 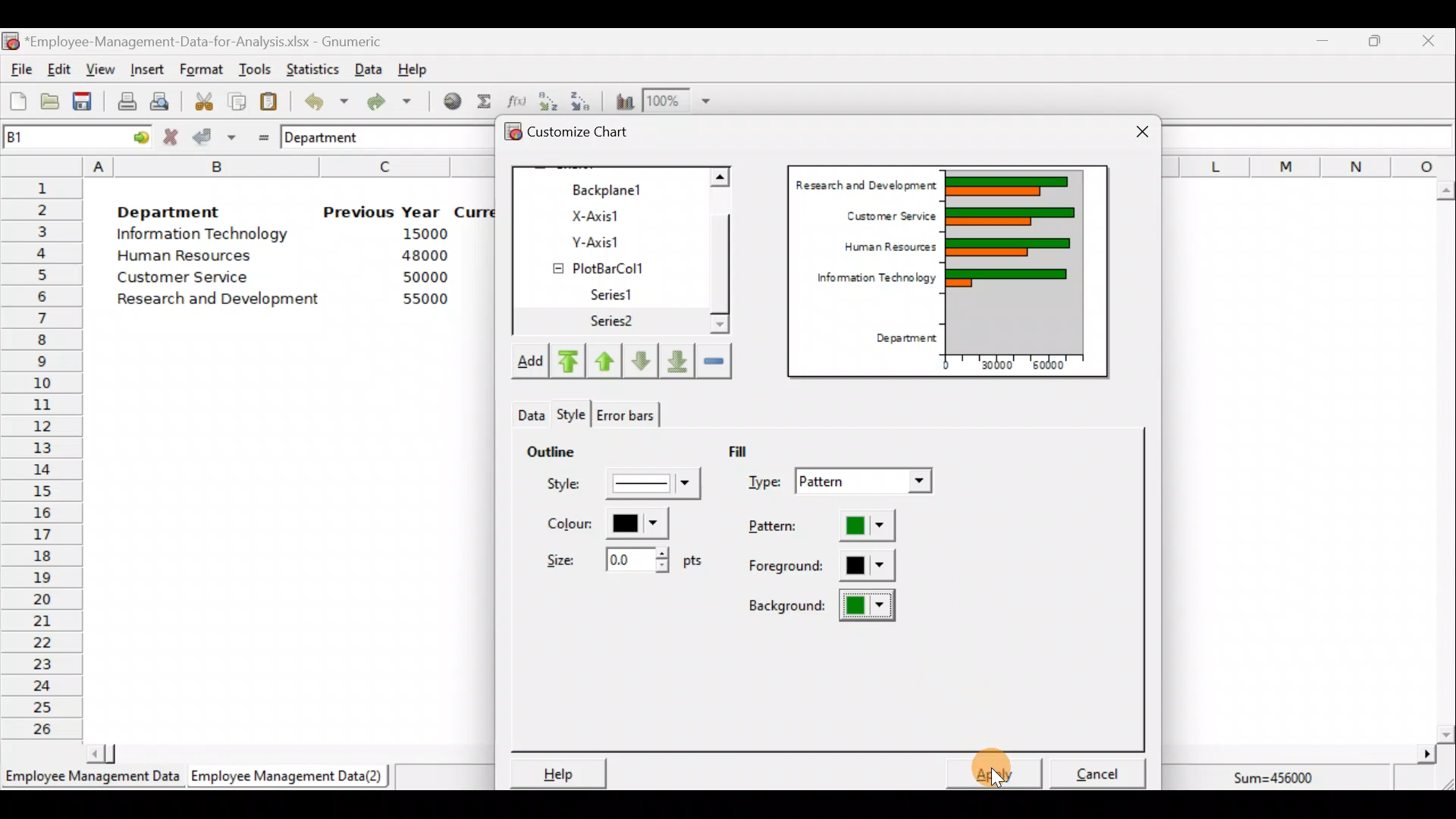 I want to click on File, so click(x=19, y=70).